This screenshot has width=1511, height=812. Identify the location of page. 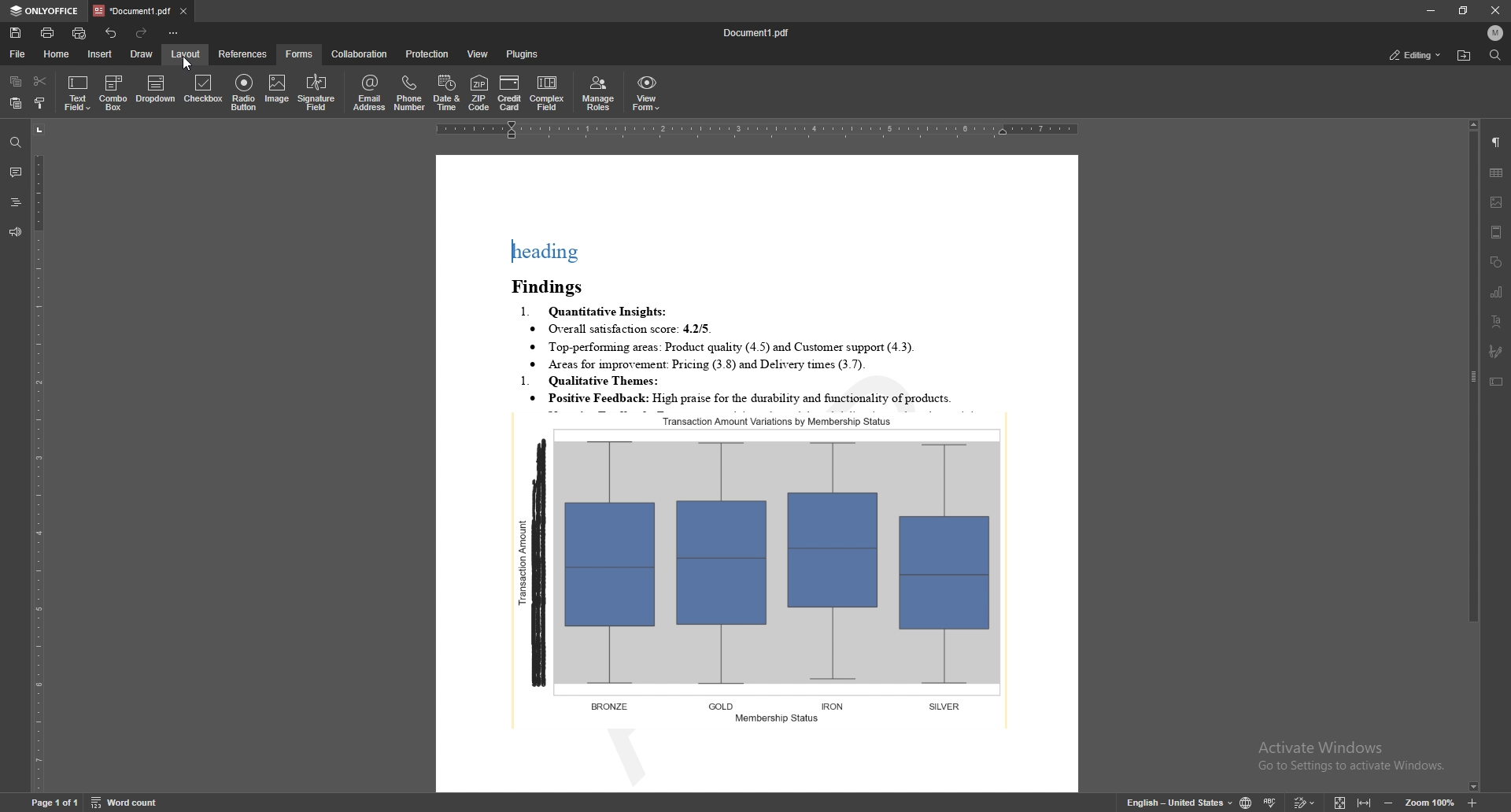
(53, 802).